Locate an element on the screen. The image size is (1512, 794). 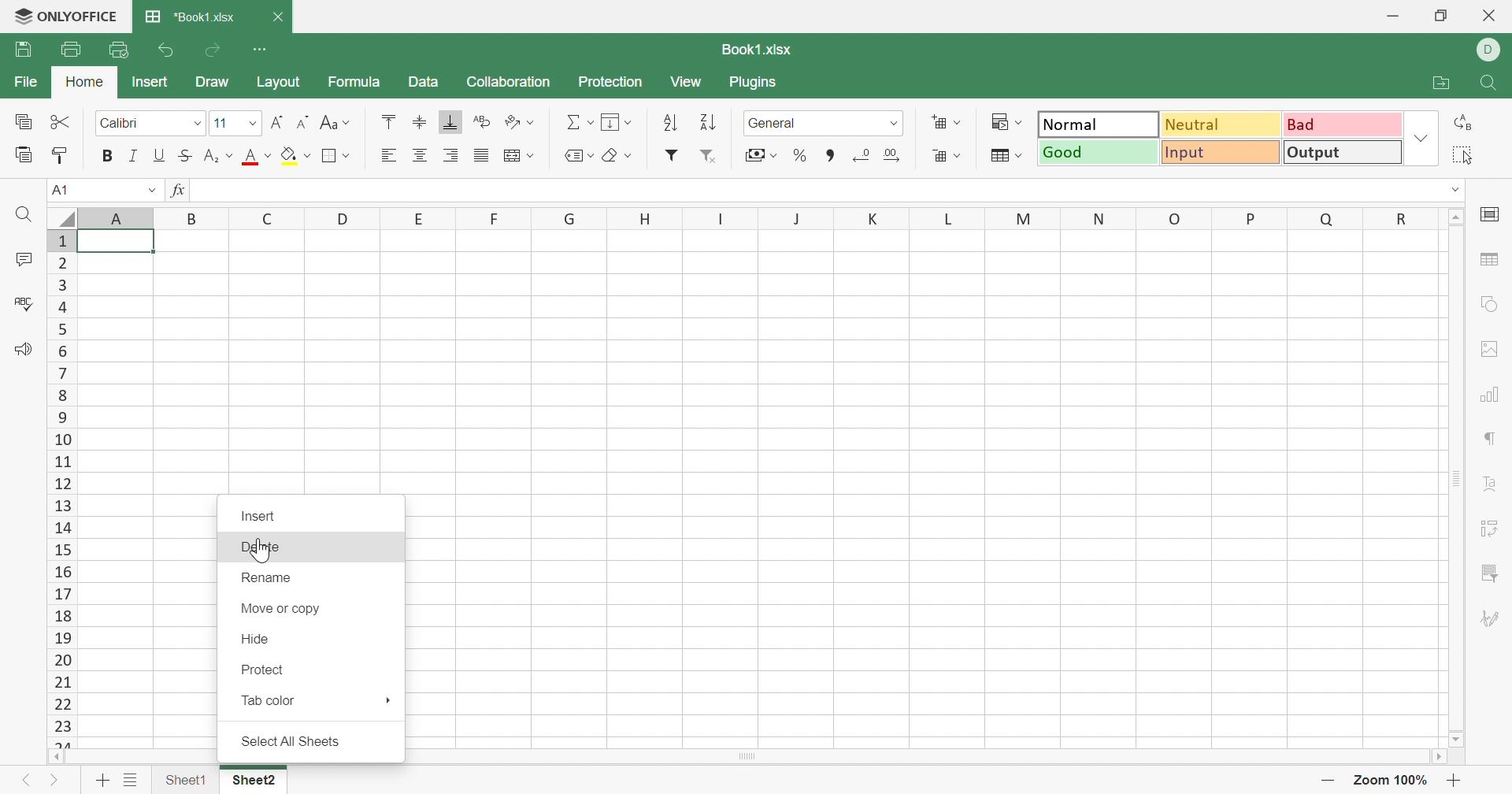
Open file location is located at coordinates (1432, 83).